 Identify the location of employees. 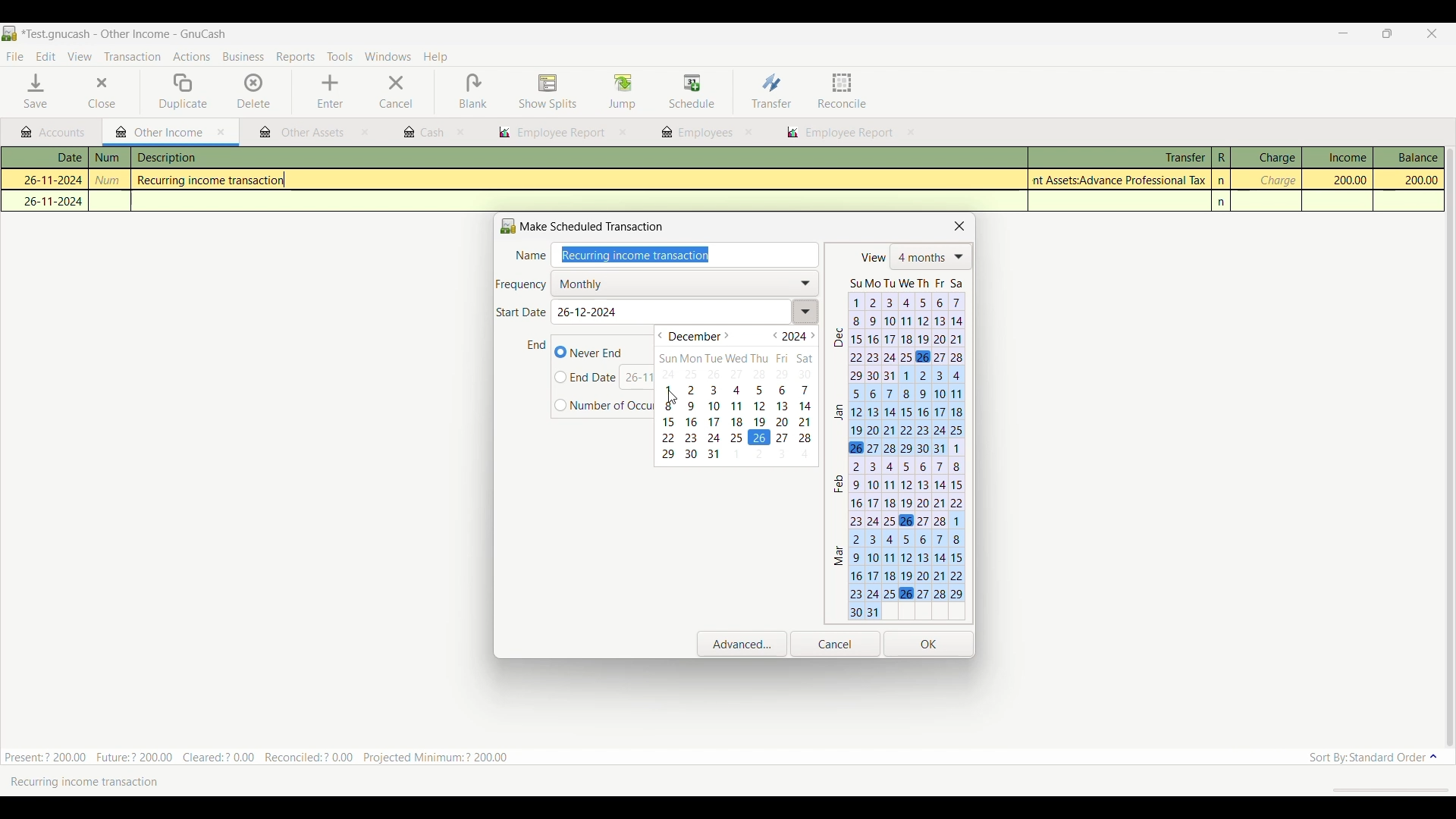
(695, 133).